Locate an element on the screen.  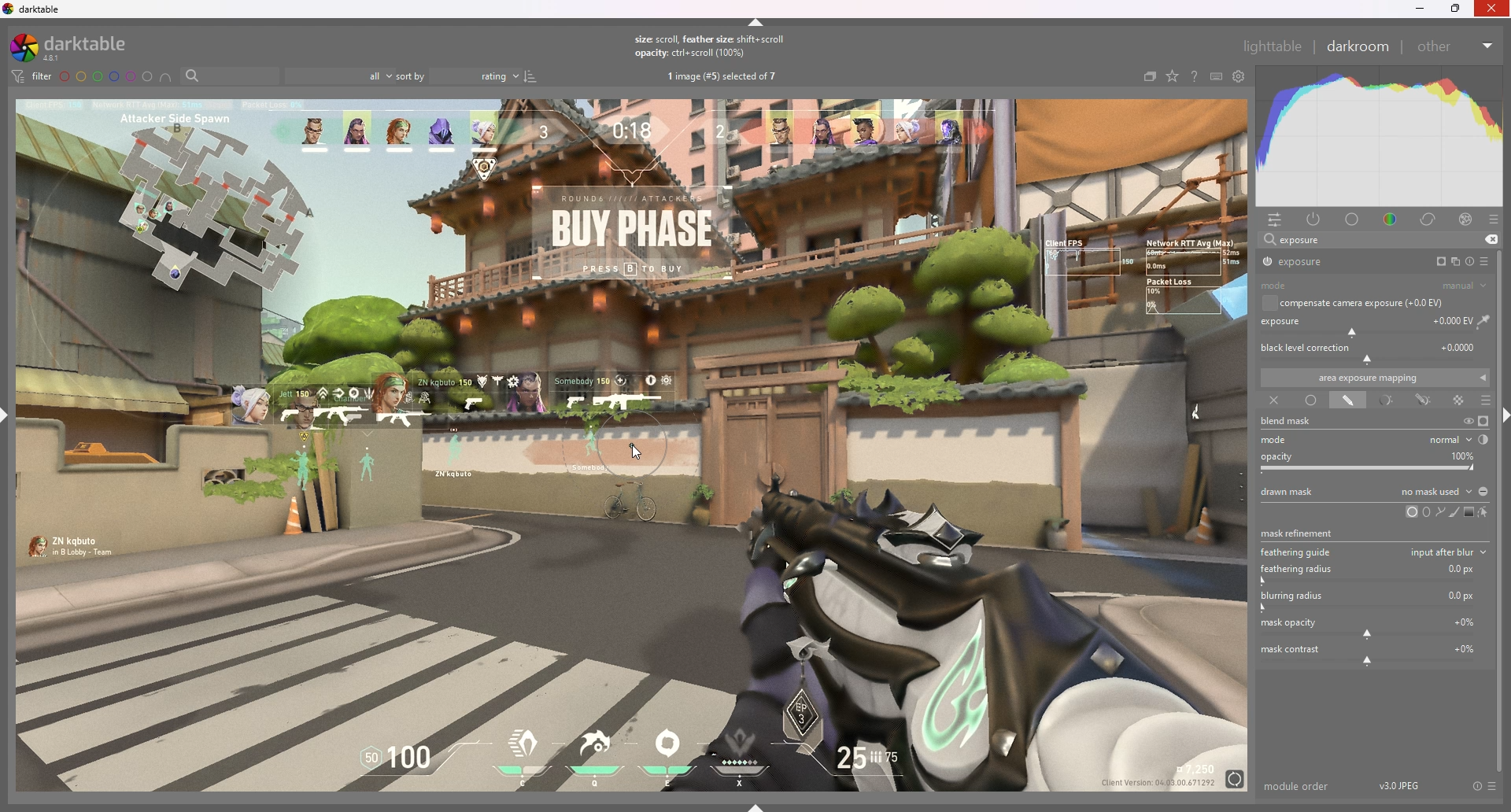
show is located at coordinates (756, 806).